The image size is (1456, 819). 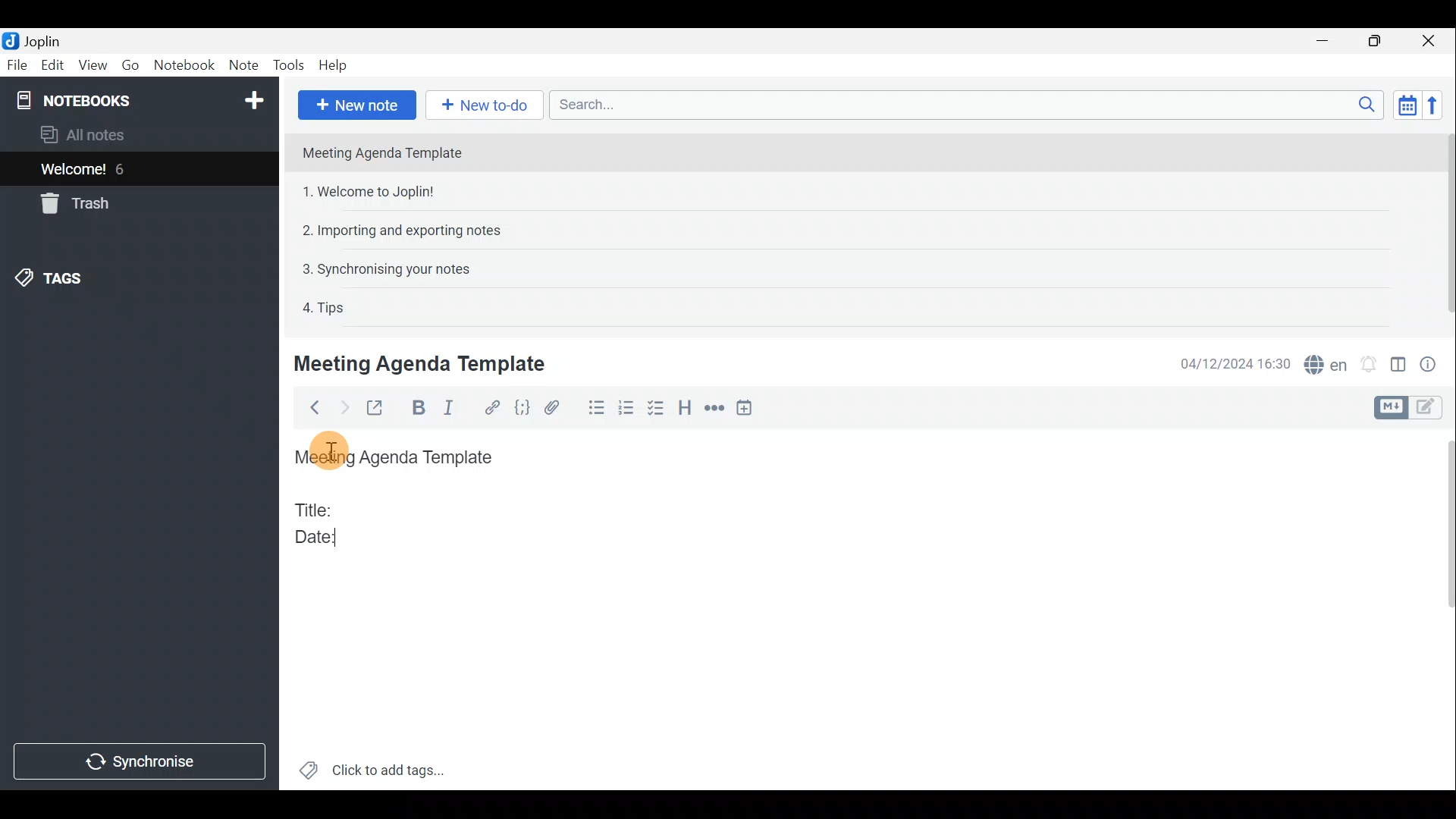 I want to click on Meeting Agenda Template, so click(x=384, y=152).